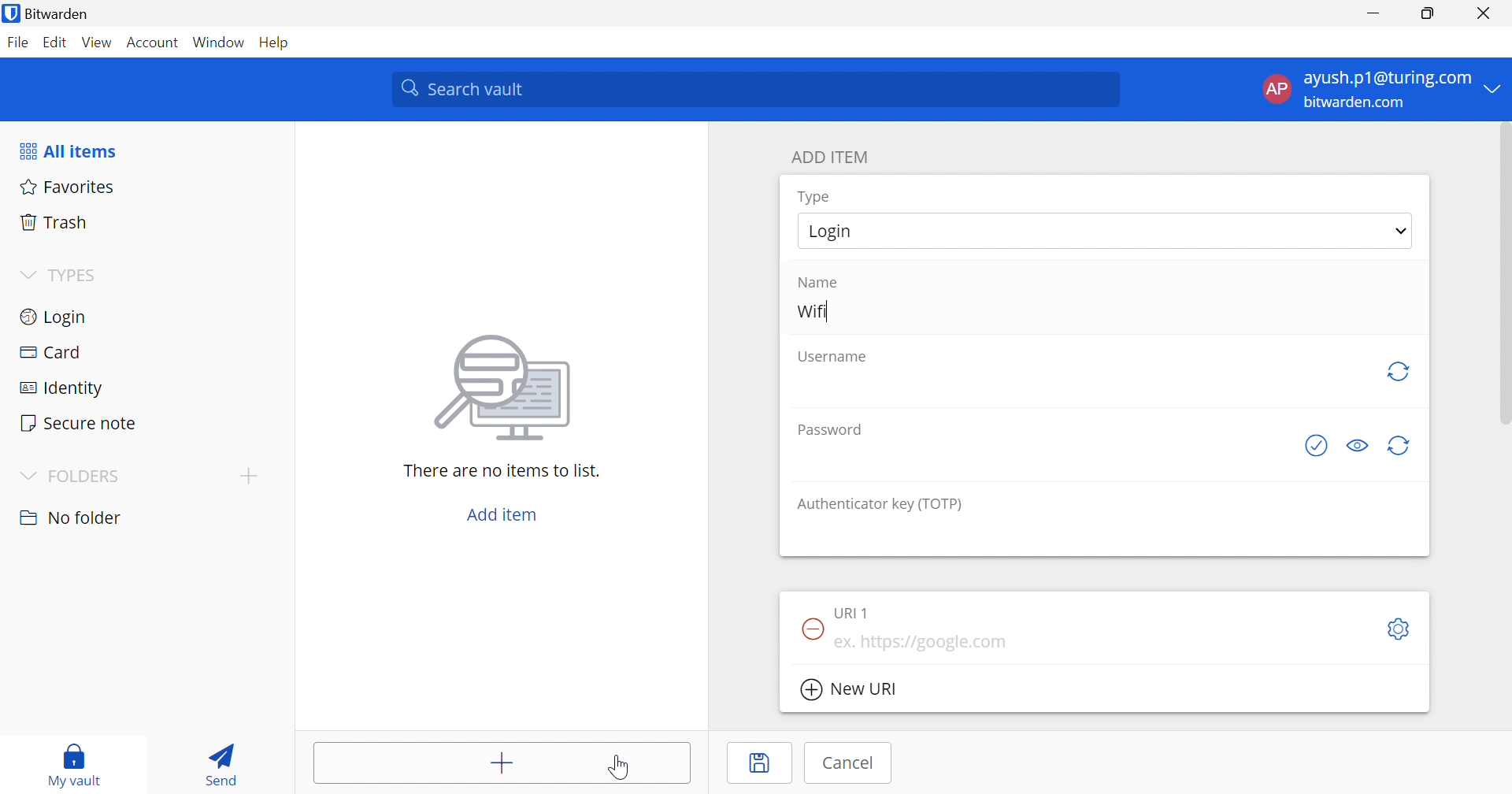 The width and height of the screenshot is (1512, 794). Describe the element at coordinates (54, 43) in the screenshot. I see `Edit` at that location.